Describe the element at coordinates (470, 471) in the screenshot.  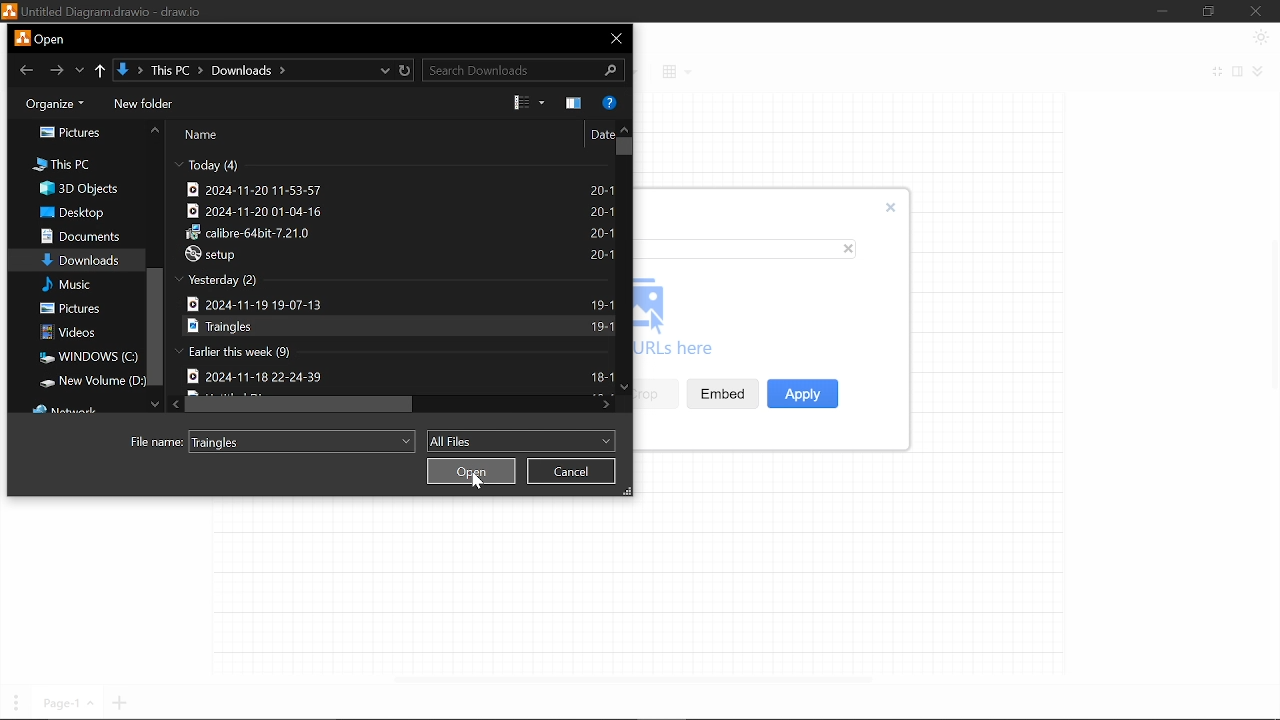
I see `Open` at that location.